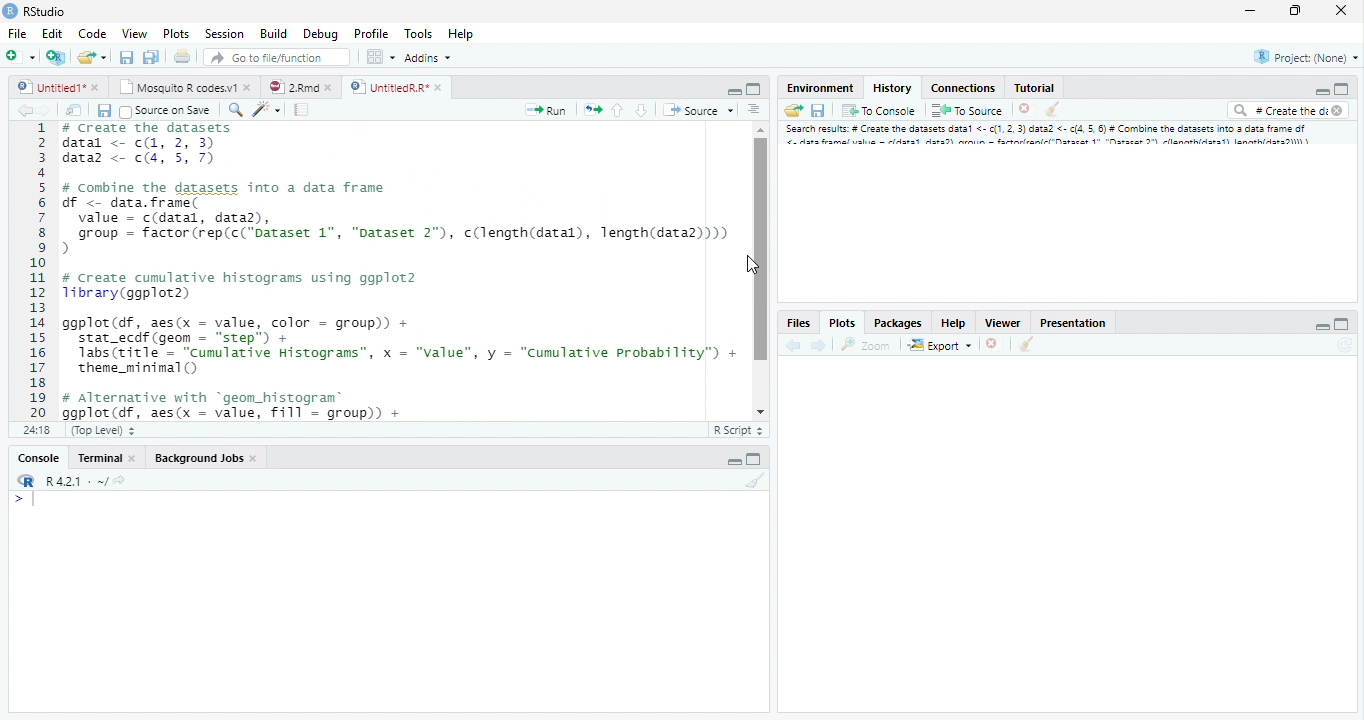  What do you see at coordinates (546, 110) in the screenshot?
I see `Run` at bounding box center [546, 110].